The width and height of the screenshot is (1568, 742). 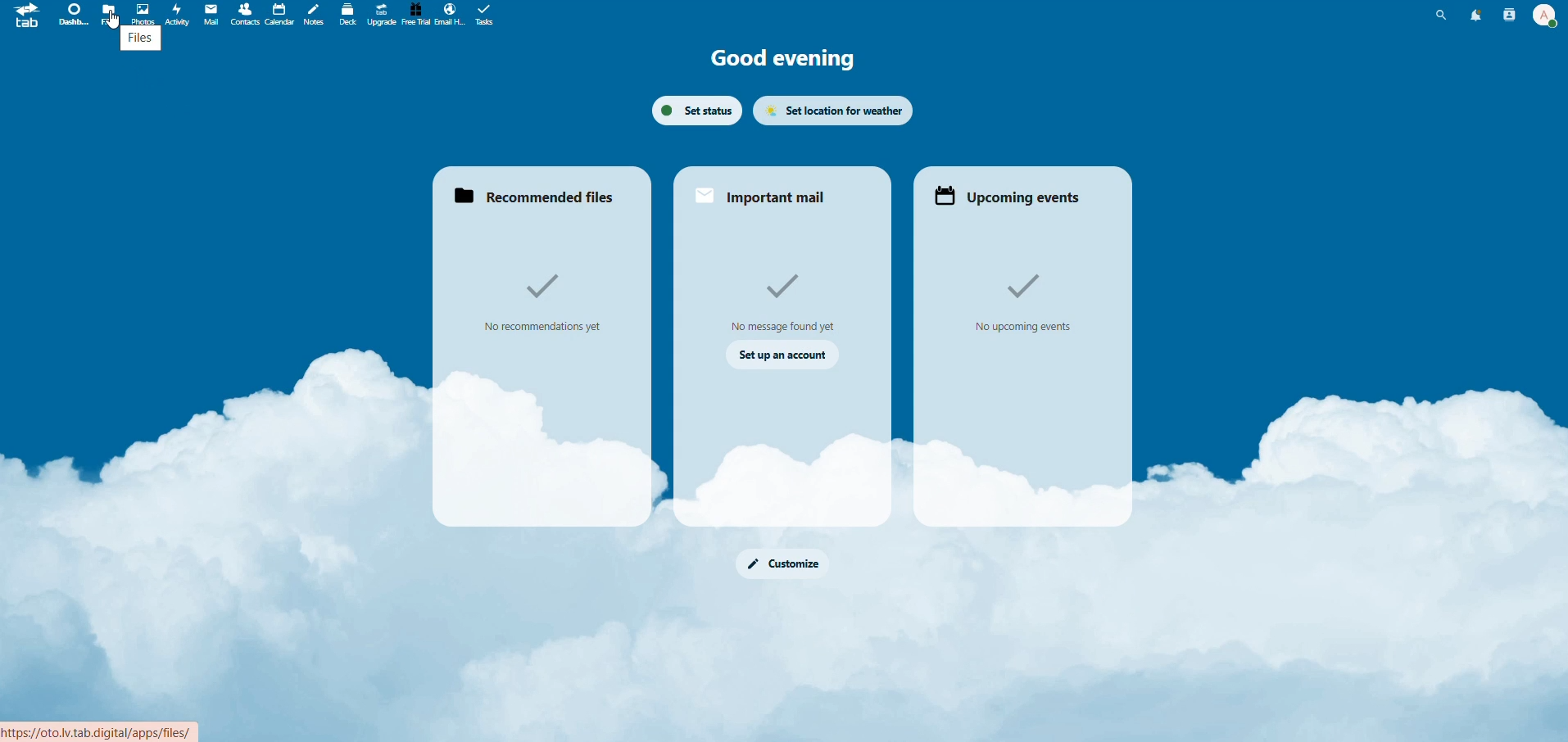 What do you see at coordinates (1013, 197) in the screenshot?
I see `upcoming events` at bounding box center [1013, 197].